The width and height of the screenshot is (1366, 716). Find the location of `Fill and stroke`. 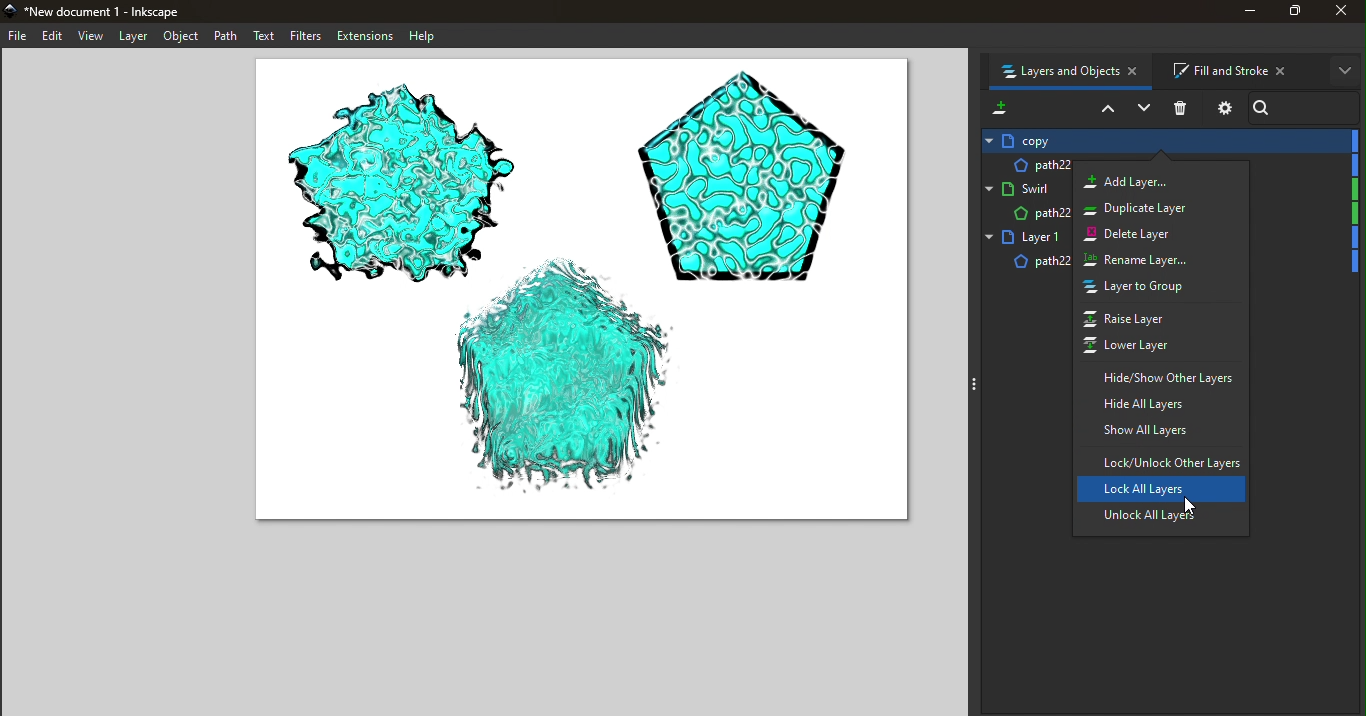

Fill and stroke is located at coordinates (1237, 69).